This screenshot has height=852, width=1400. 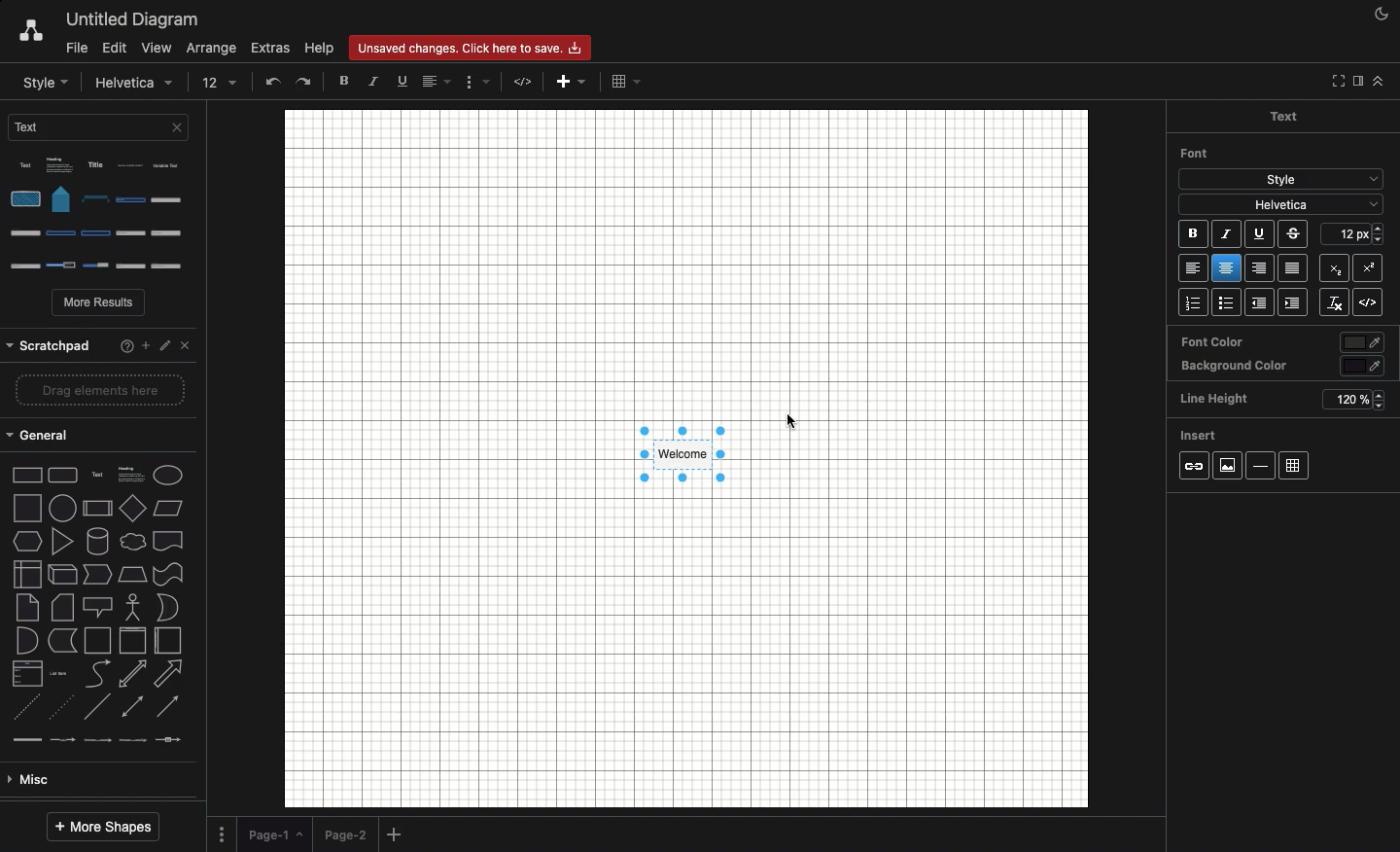 I want to click on Italics, so click(x=1228, y=236).